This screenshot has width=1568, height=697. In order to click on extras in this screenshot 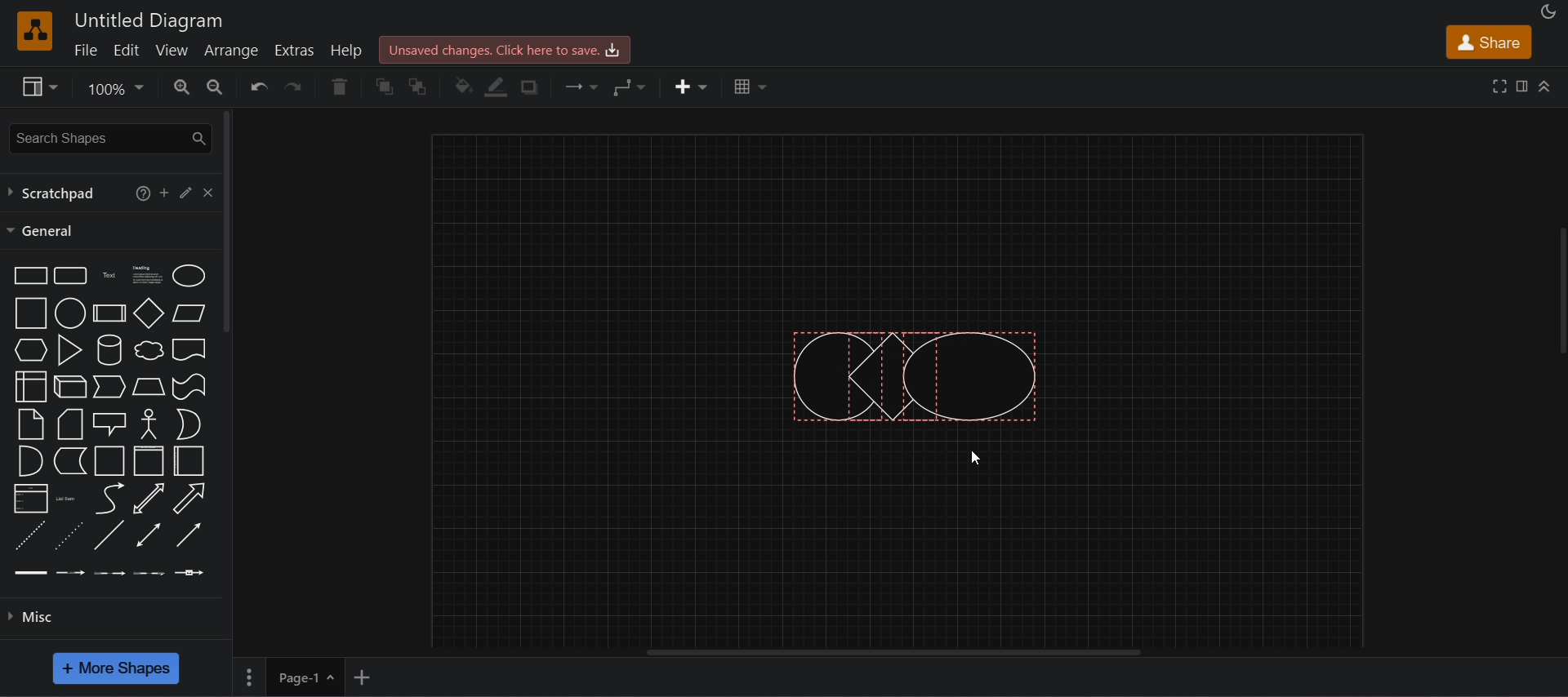, I will do `click(296, 51)`.